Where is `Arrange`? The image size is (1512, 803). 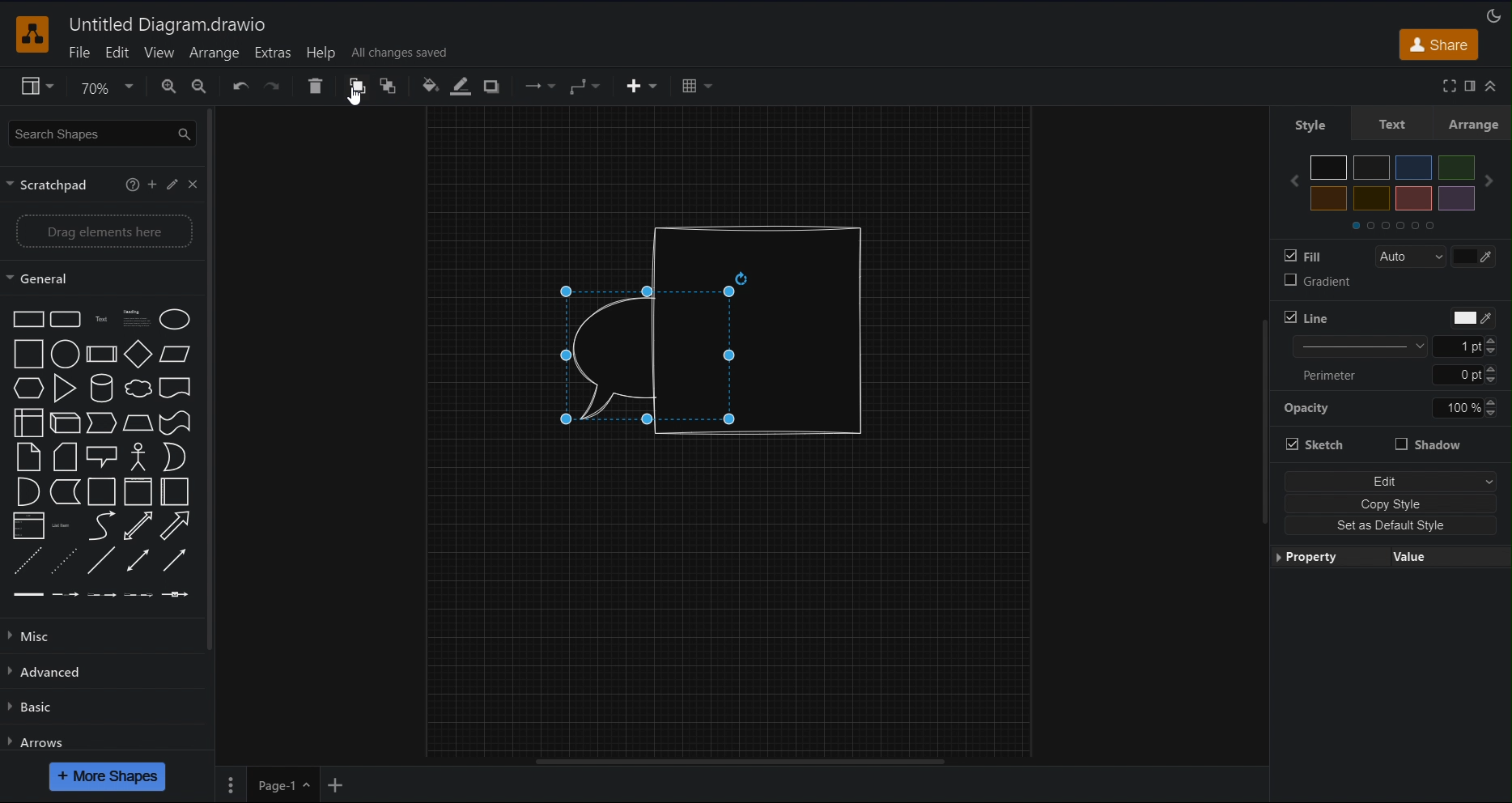 Arrange is located at coordinates (1477, 123).